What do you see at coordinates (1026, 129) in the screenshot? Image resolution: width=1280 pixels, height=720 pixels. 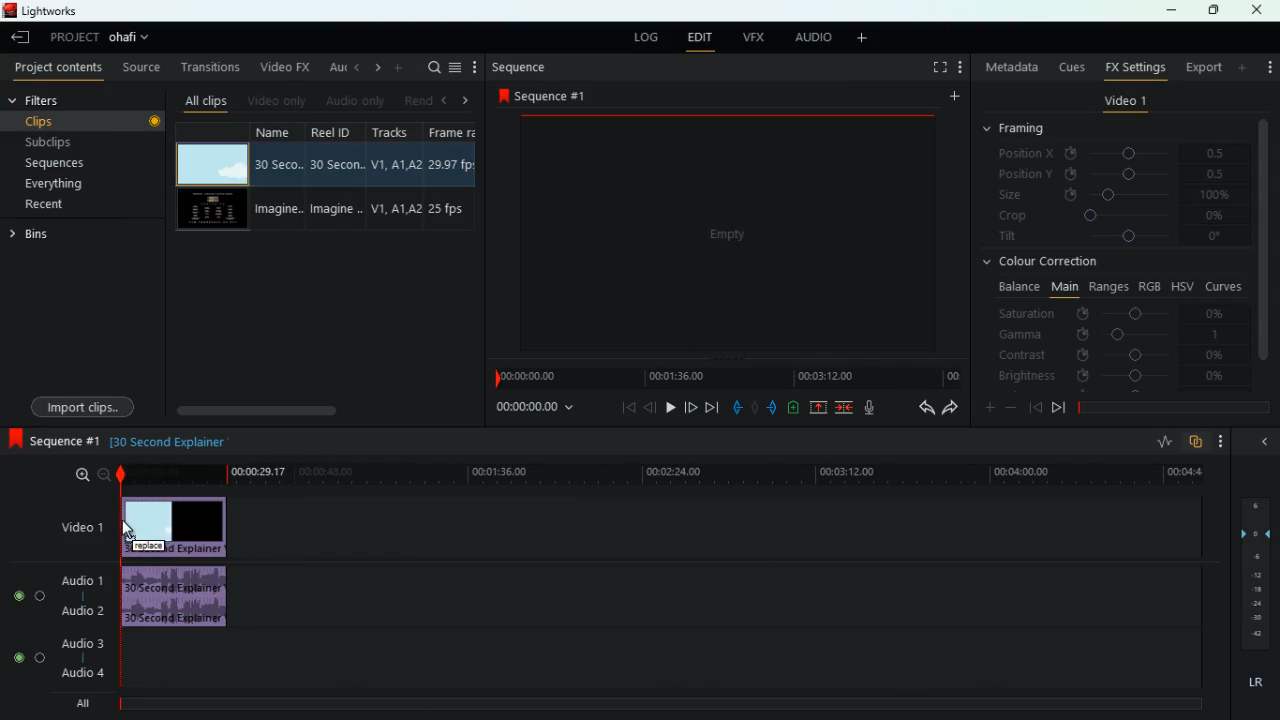 I see `framing` at bounding box center [1026, 129].